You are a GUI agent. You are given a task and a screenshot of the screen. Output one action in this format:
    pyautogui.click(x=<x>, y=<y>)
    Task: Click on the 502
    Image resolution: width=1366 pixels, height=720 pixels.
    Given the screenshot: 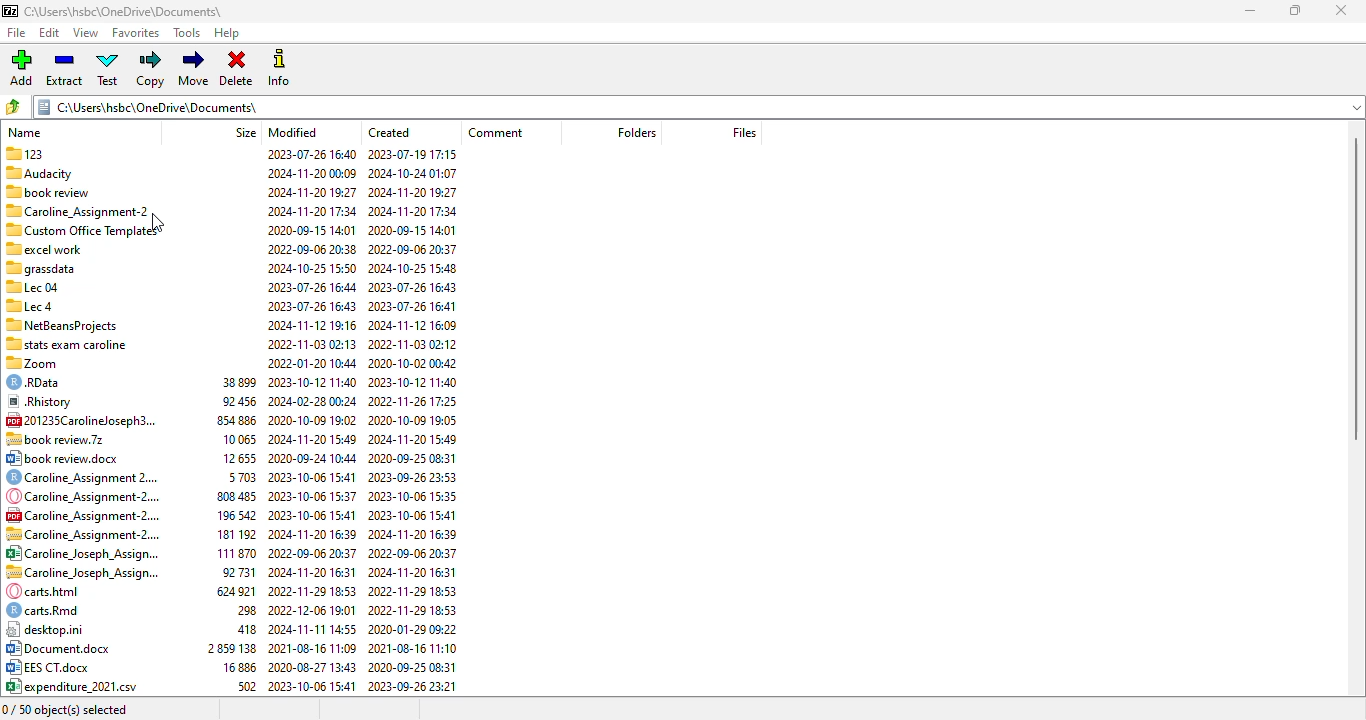 What is the action you would take?
    pyautogui.click(x=244, y=687)
    